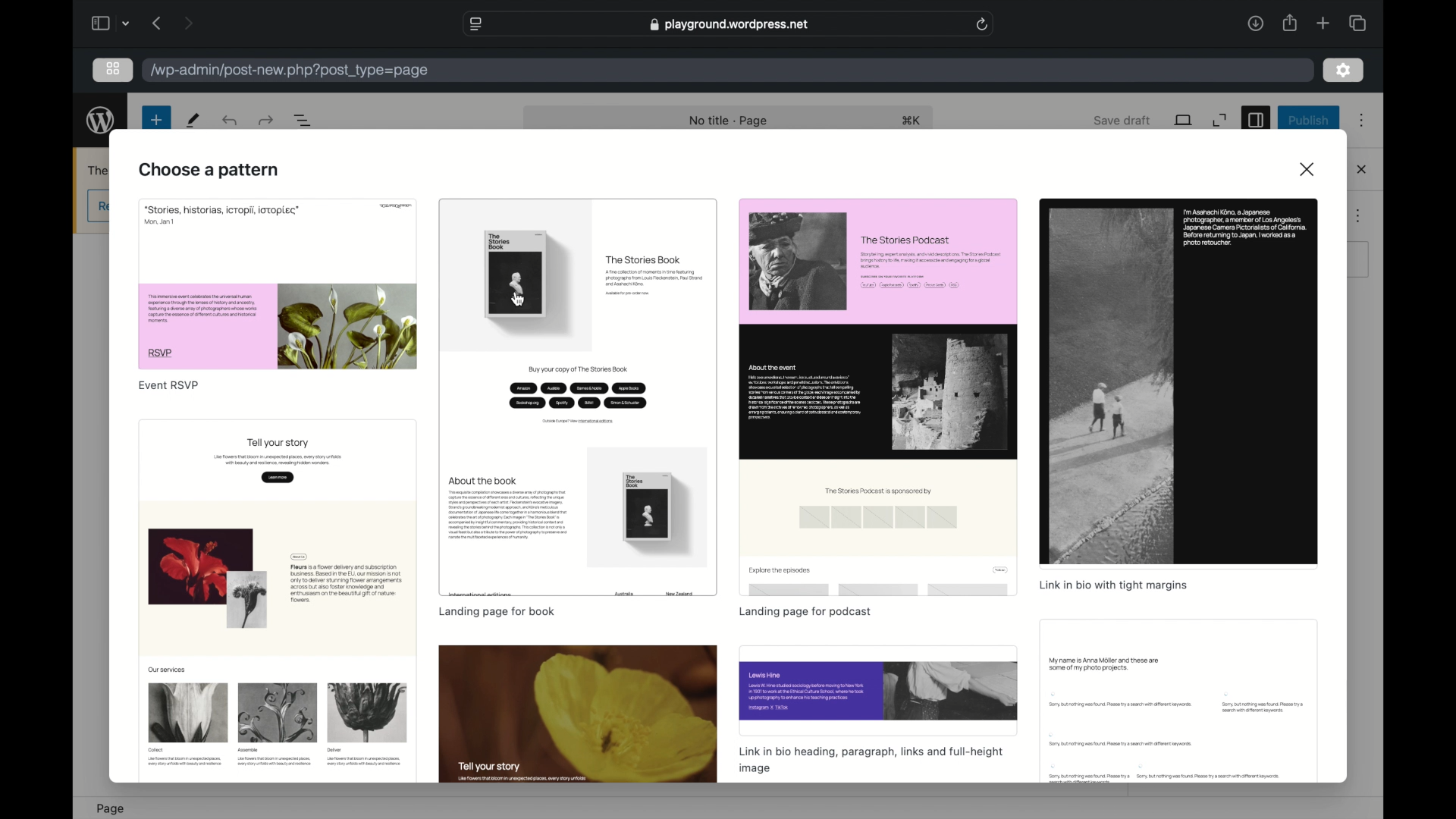  I want to click on obscure button, so click(99, 206).